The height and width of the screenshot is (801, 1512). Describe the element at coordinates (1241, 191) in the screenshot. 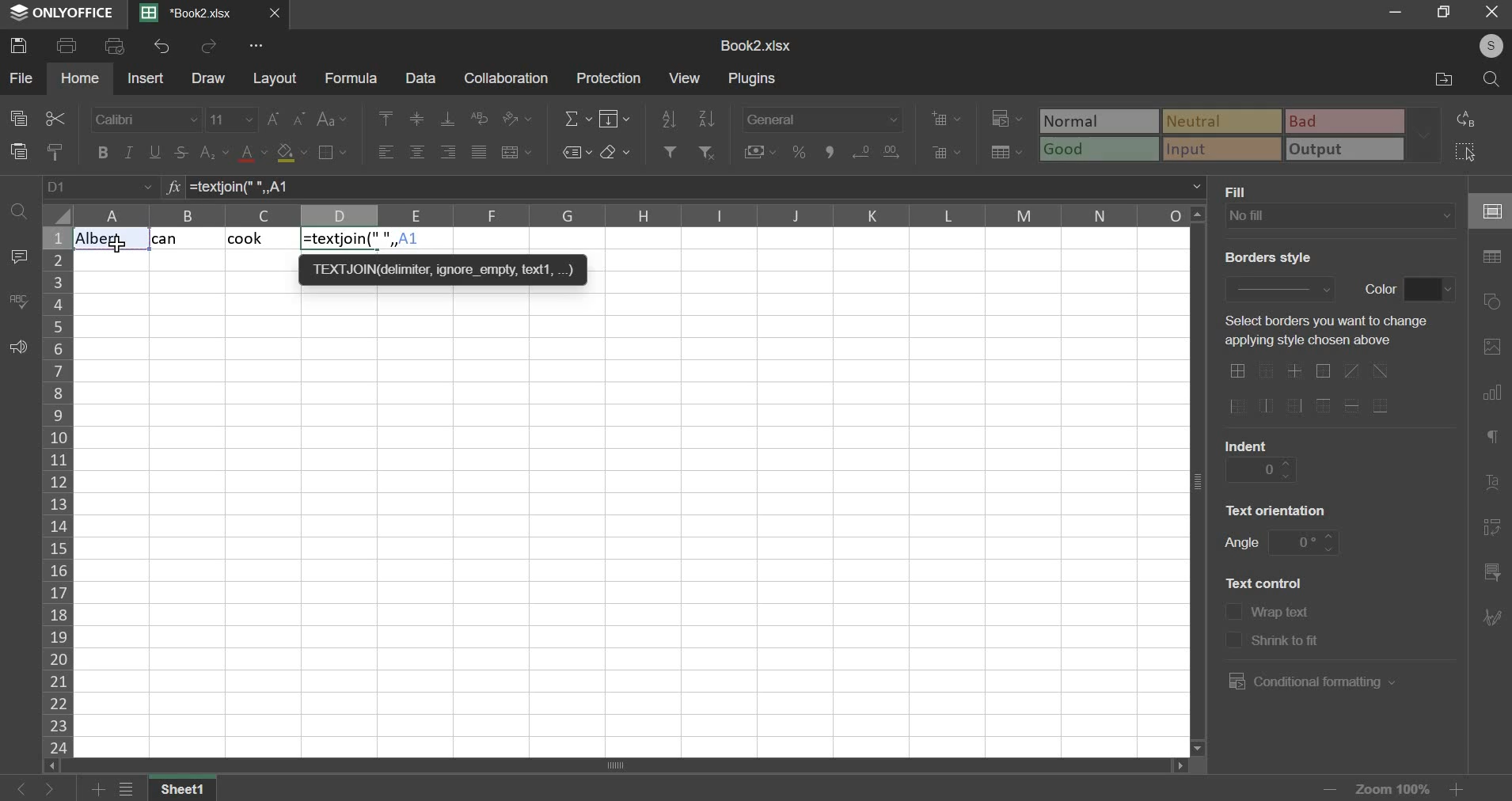

I see `text` at that location.